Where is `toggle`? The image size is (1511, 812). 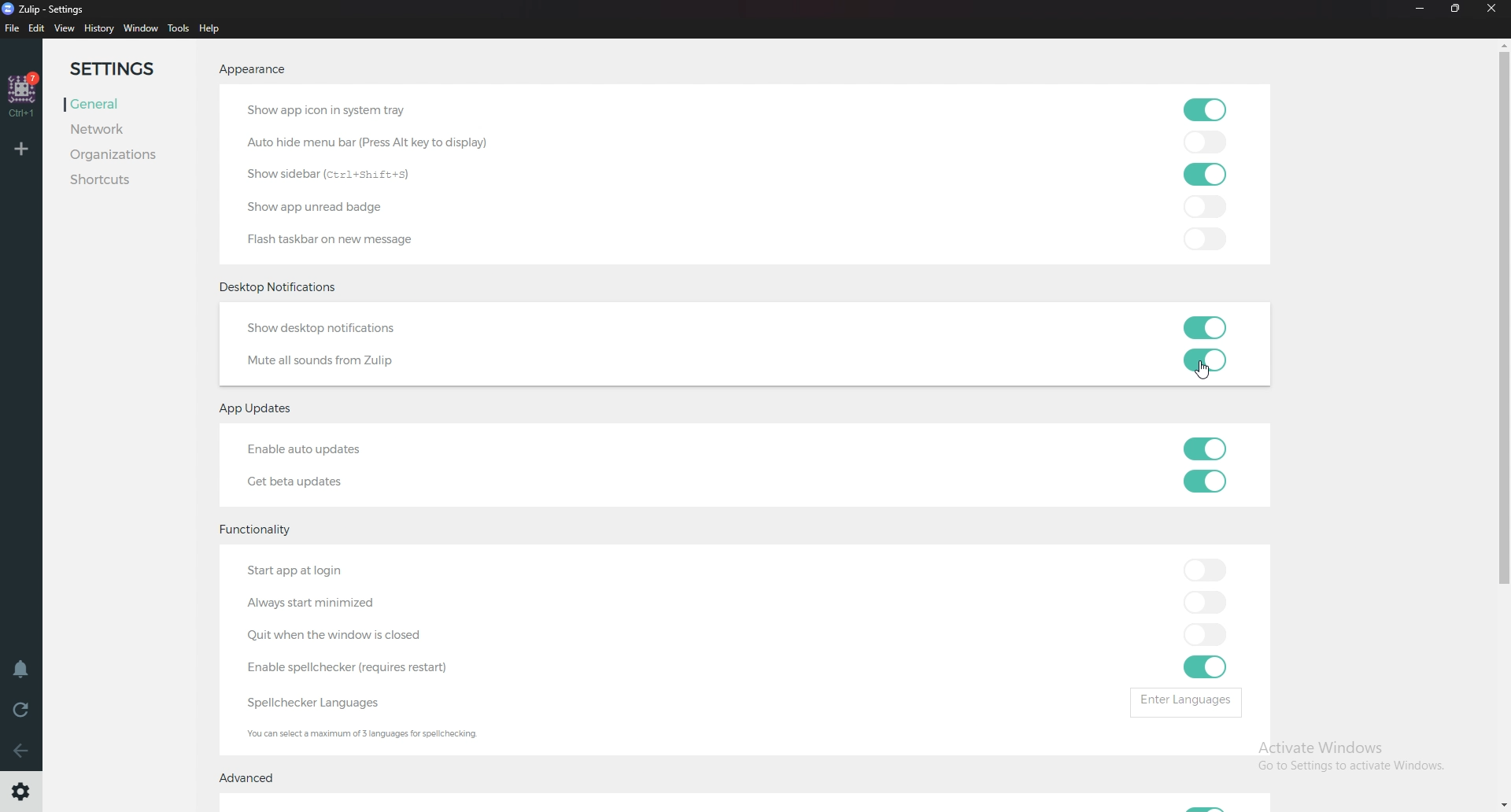
toggle is located at coordinates (1204, 481).